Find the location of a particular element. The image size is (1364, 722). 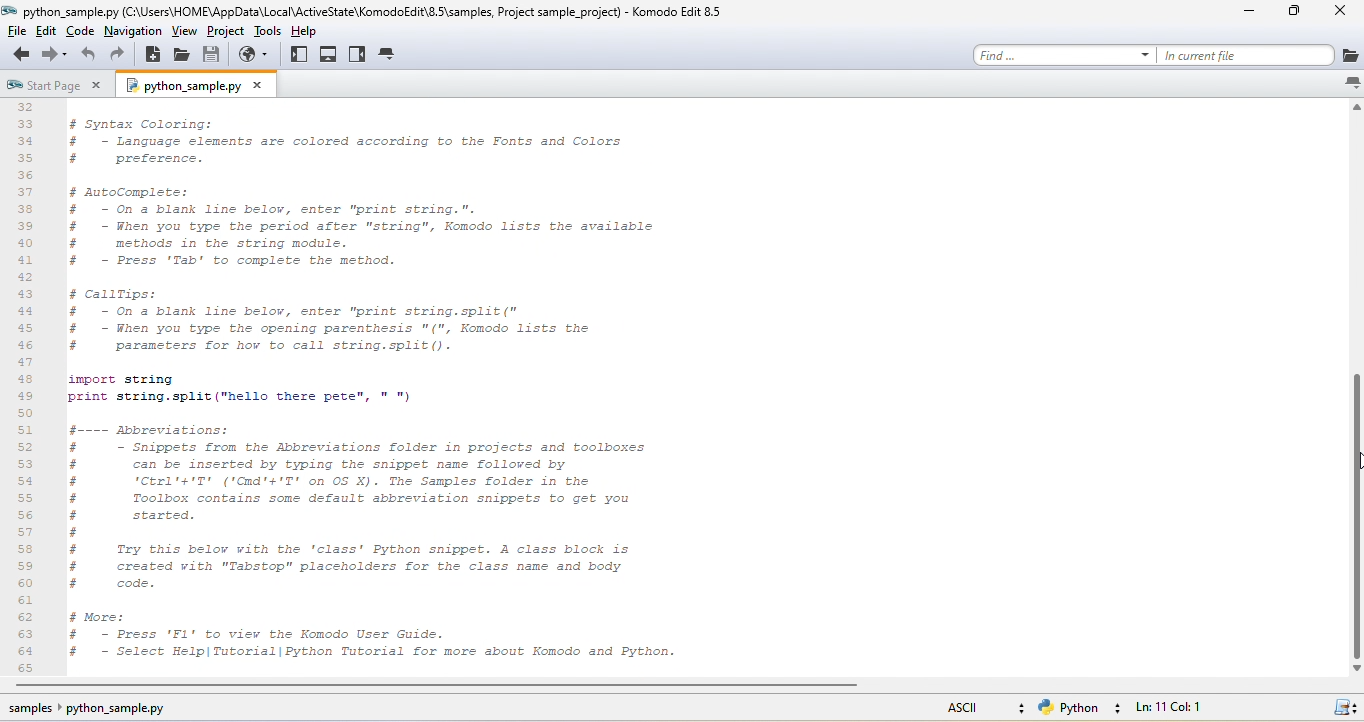

sample python is located at coordinates (116, 711).